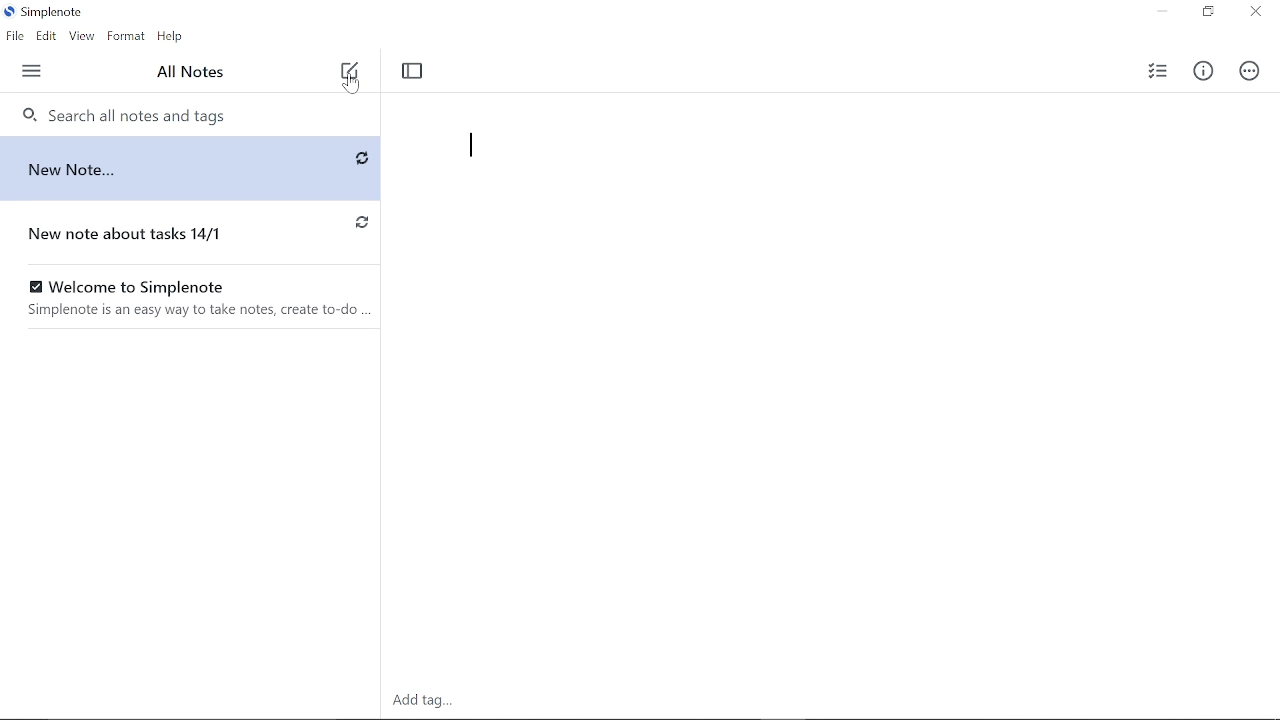 This screenshot has width=1280, height=720. Describe the element at coordinates (1254, 13) in the screenshot. I see `Close` at that location.